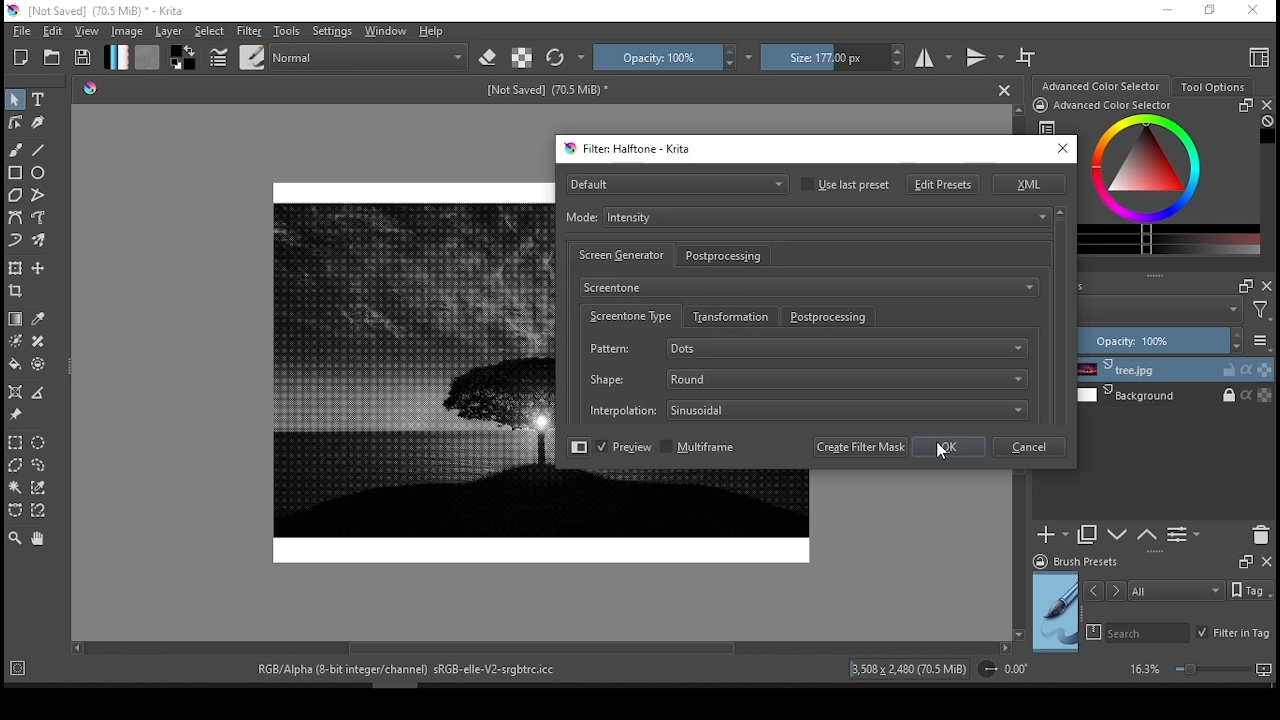 The height and width of the screenshot is (720, 1280). What do you see at coordinates (38, 216) in the screenshot?
I see `freehand path tool` at bounding box center [38, 216].